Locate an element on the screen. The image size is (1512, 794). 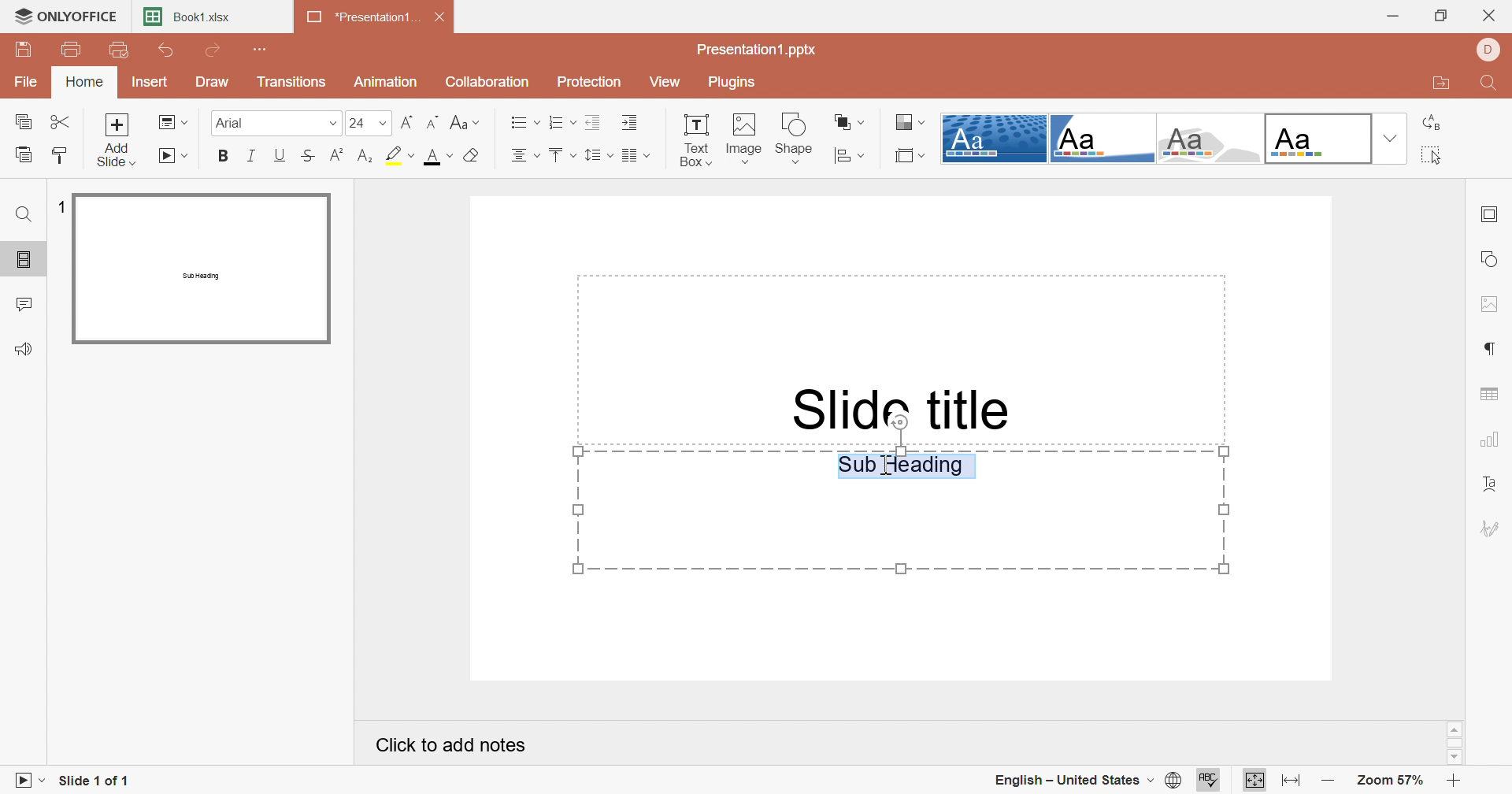
Open file location is located at coordinates (1444, 84).